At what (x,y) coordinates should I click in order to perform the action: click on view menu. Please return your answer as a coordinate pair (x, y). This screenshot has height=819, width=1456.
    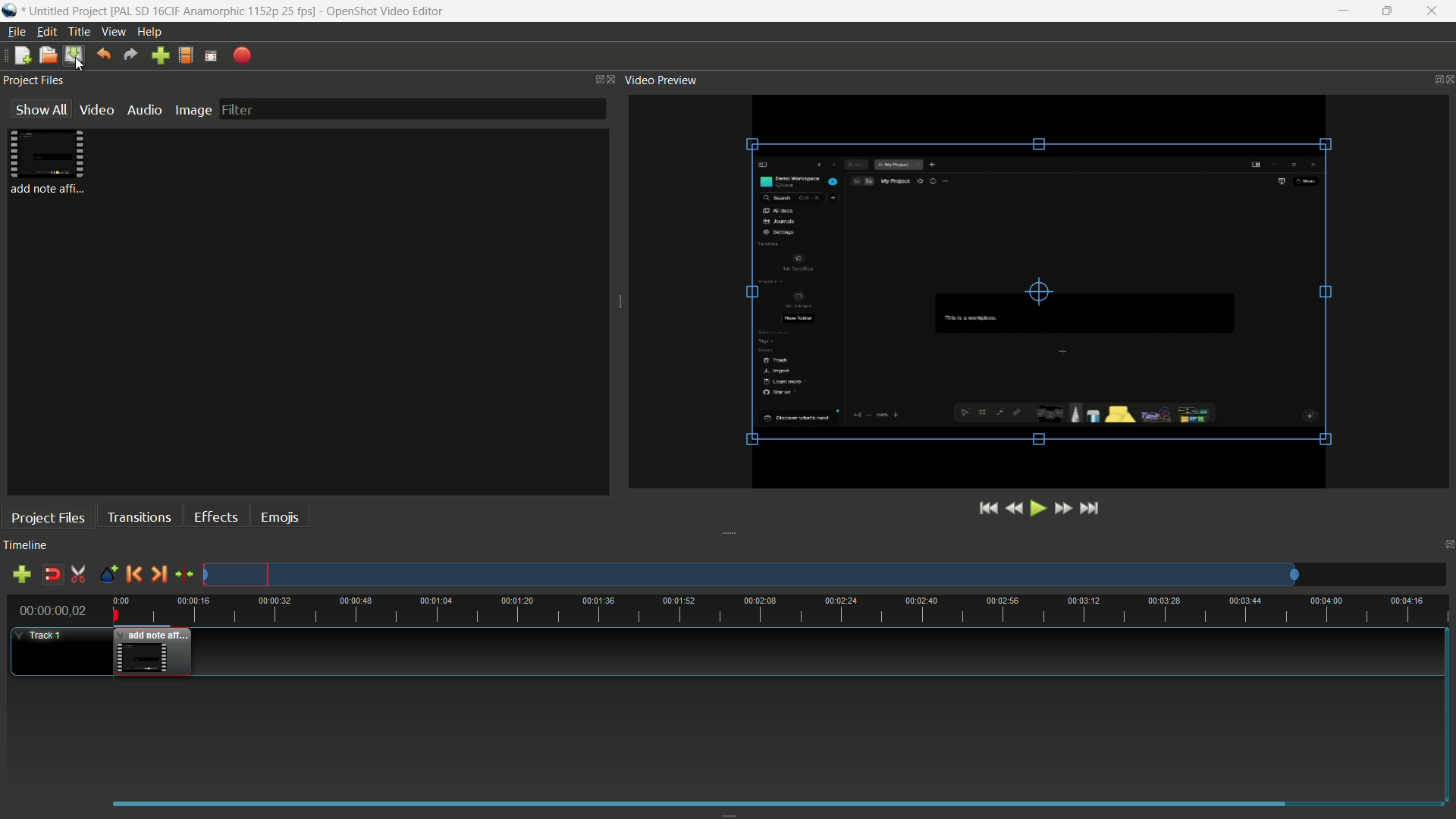
    Looking at the image, I should click on (112, 32).